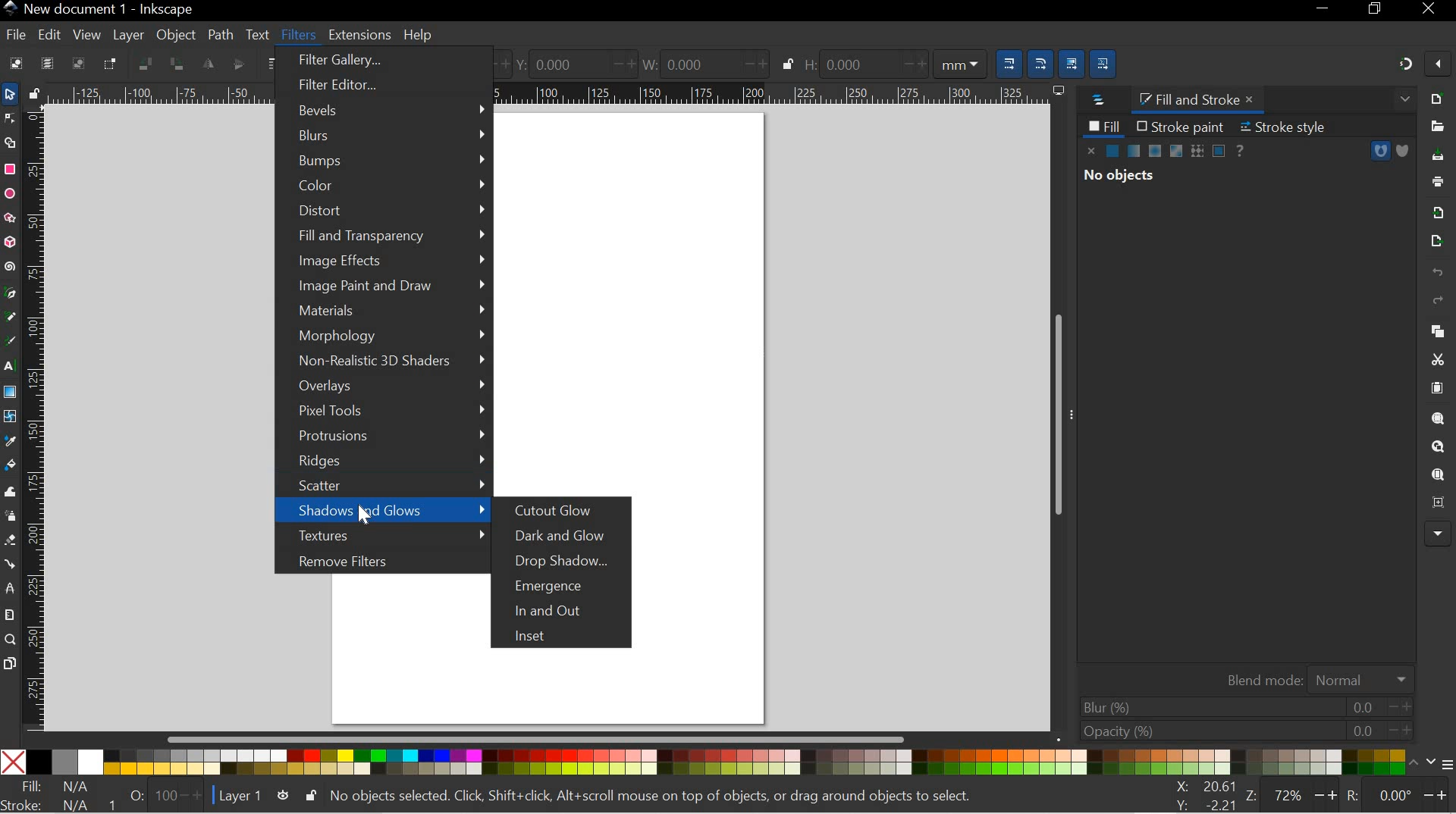 The width and height of the screenshot is (1456, 814). What do you see at coordinates (9, 393) in the screenshot?
I see `SHAPES AND TOOLS` at bounding box center [9, 393].